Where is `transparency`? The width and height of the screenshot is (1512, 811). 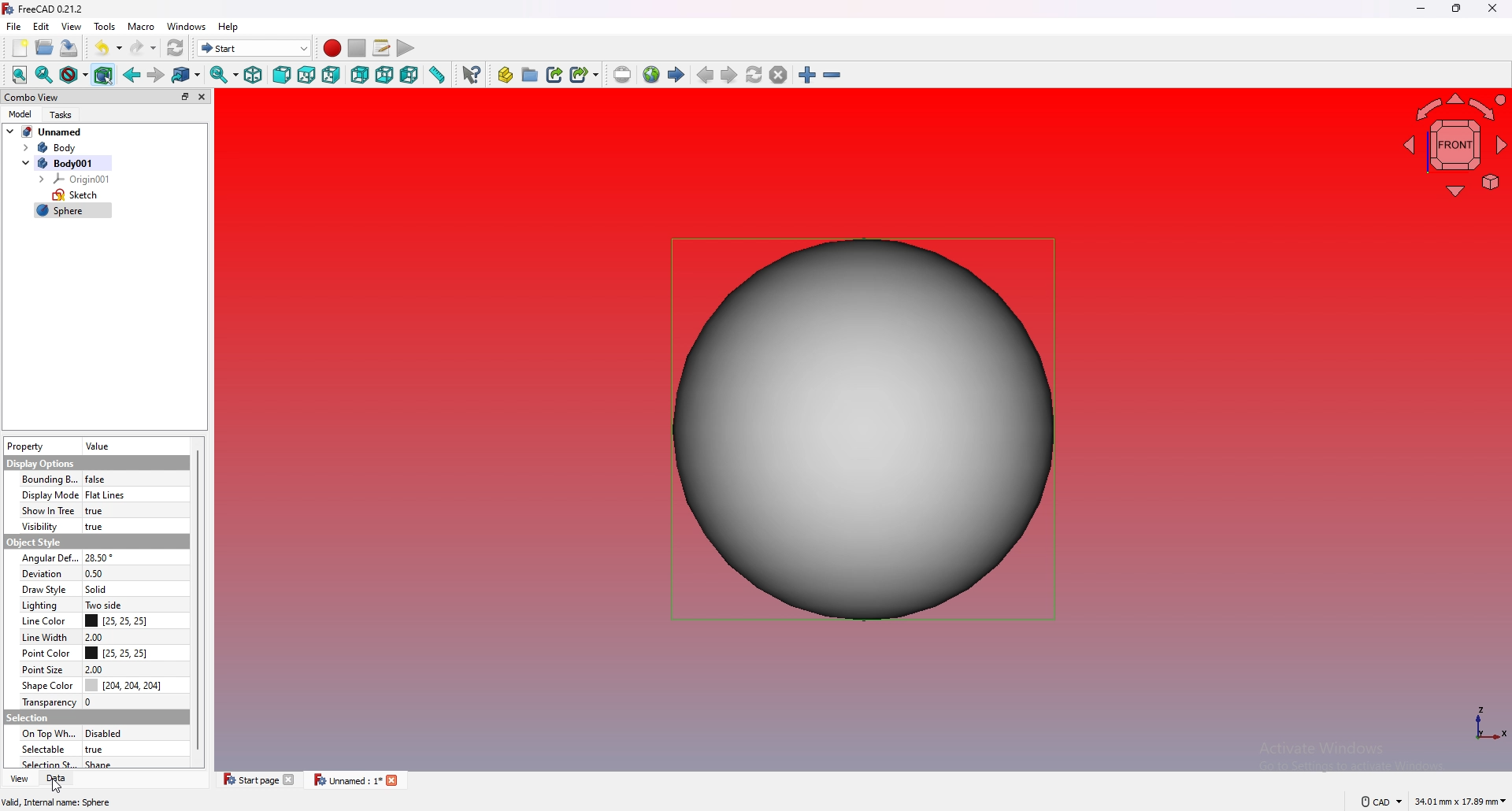 transparency is located at coordinates (96, 701).